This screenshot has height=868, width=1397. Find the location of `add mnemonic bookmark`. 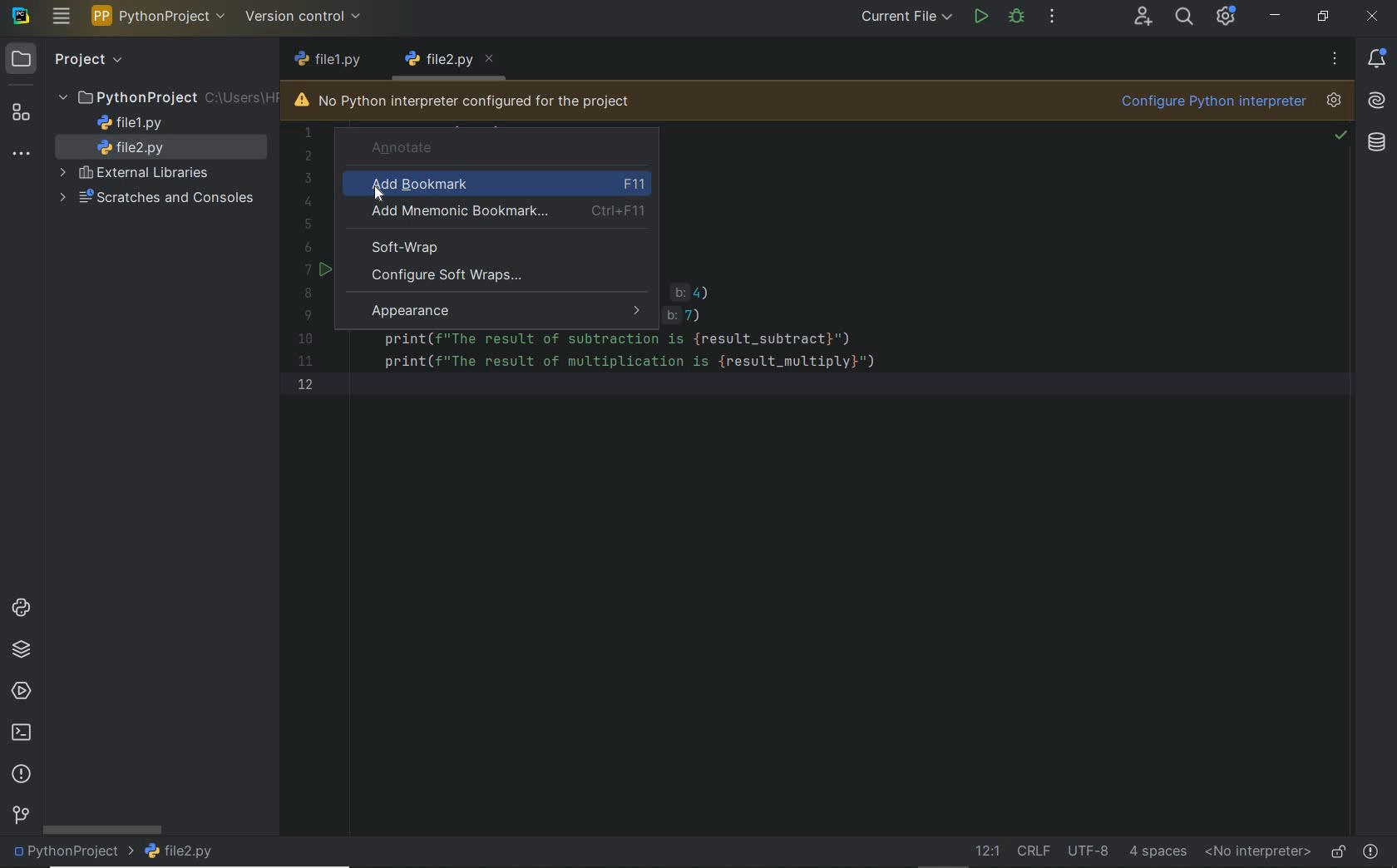

add mnemonic bookmark is located at coordinates (510, 214).